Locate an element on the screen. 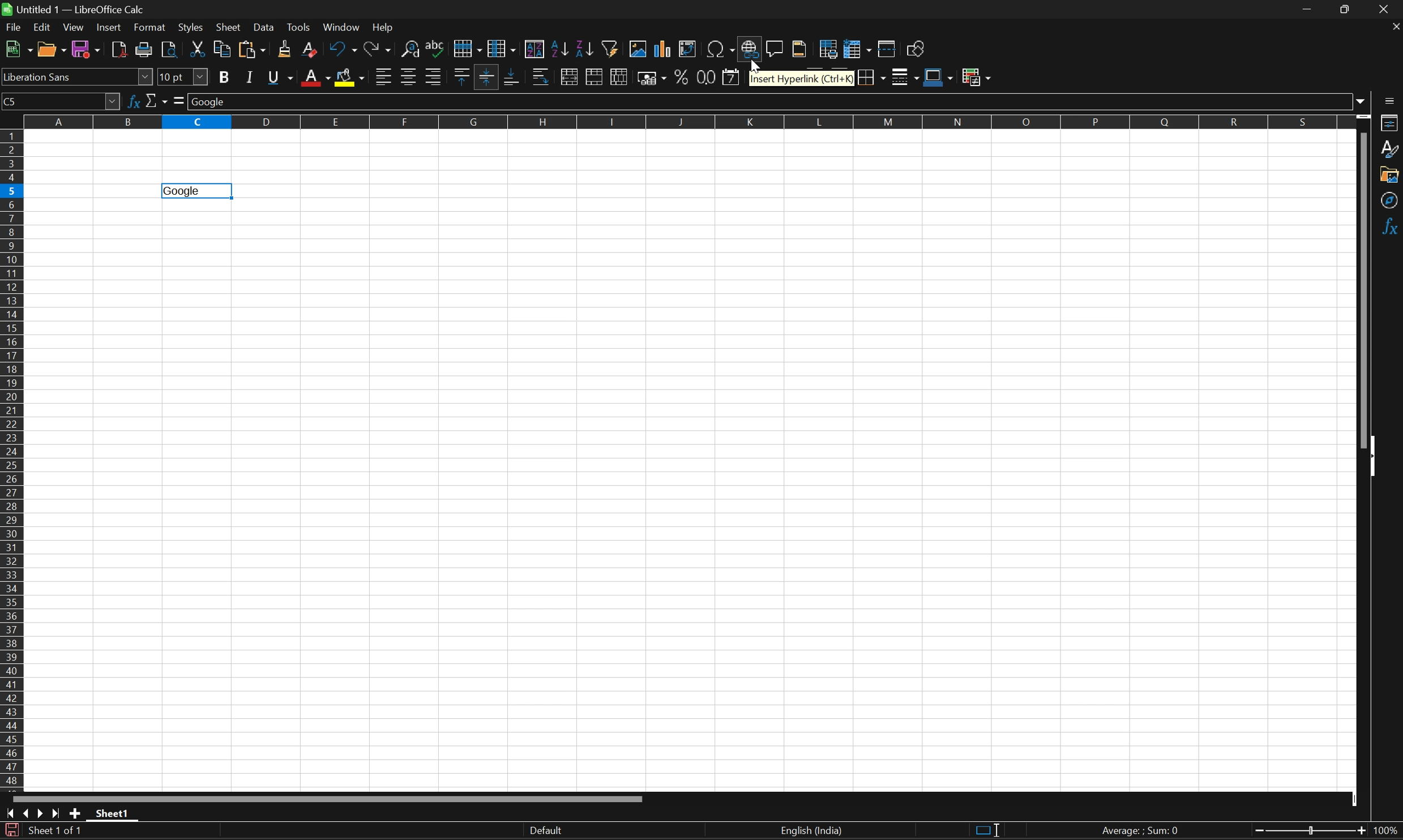 Image resolution: width=1403 pixels, height=840 pixels. Insert comment is located at coordinates (776, 49).